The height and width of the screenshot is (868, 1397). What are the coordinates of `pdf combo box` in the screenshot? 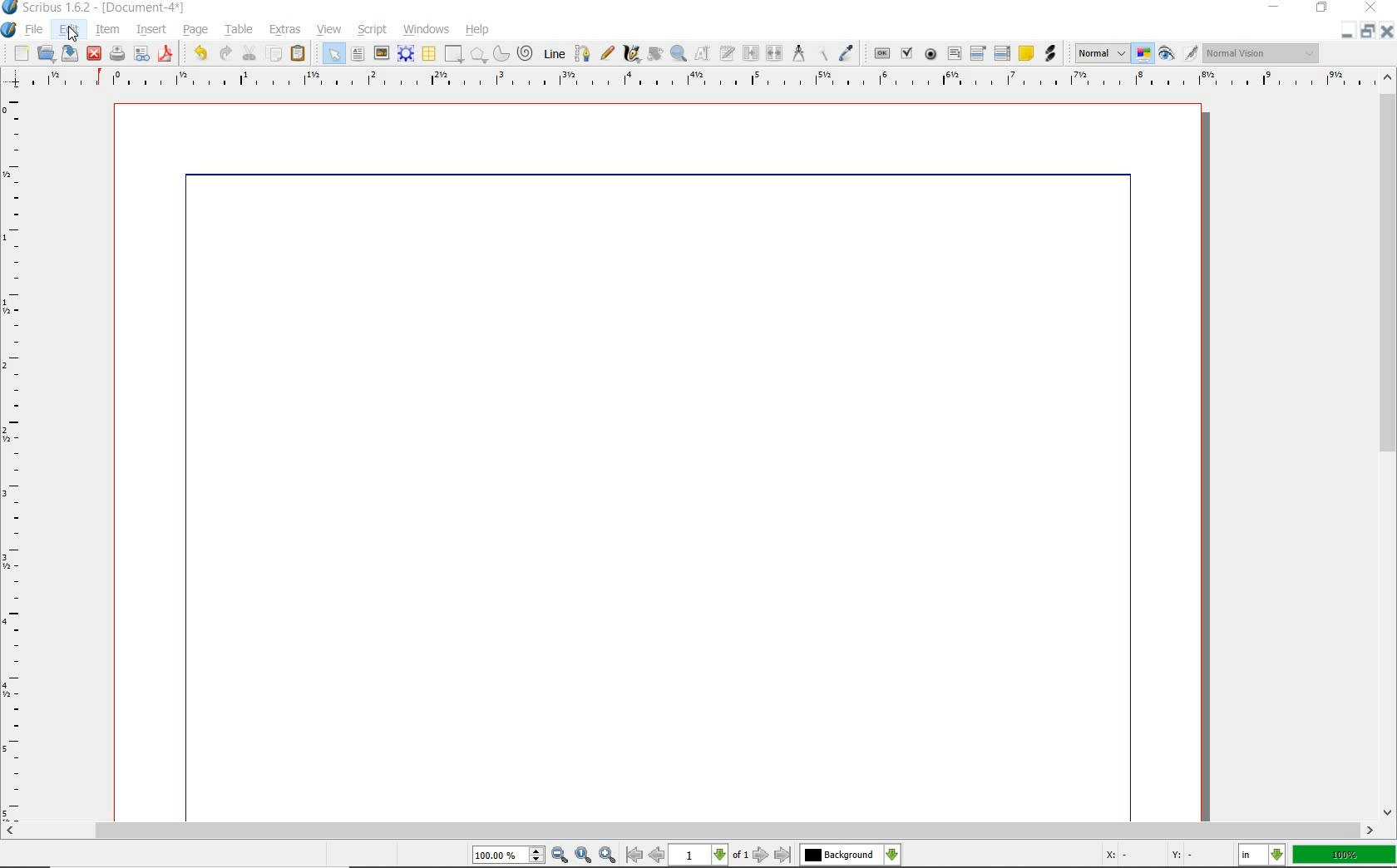 It's located at (979, 52).